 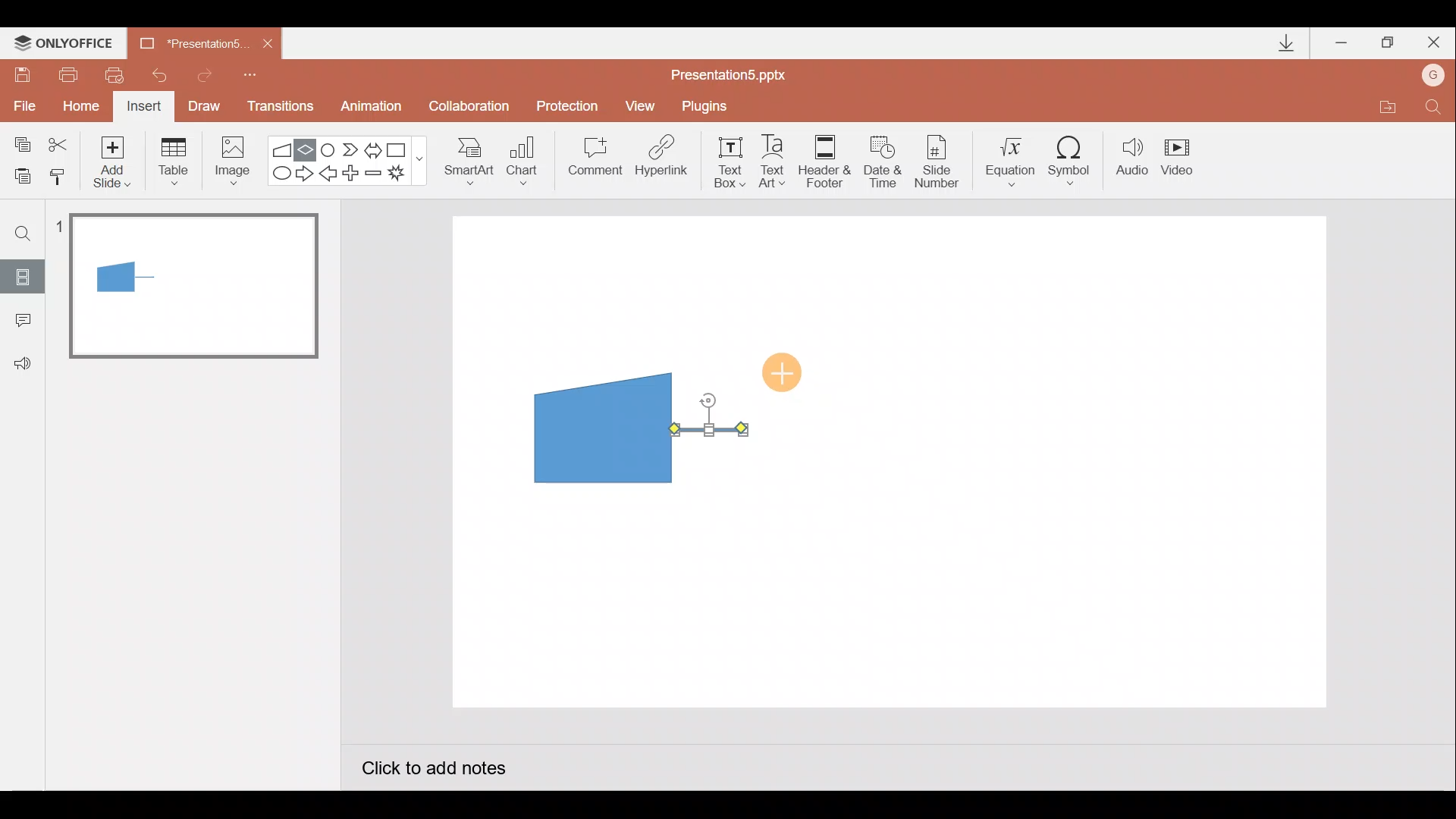 I want to click on Transitions, so click(x=278, y=108).